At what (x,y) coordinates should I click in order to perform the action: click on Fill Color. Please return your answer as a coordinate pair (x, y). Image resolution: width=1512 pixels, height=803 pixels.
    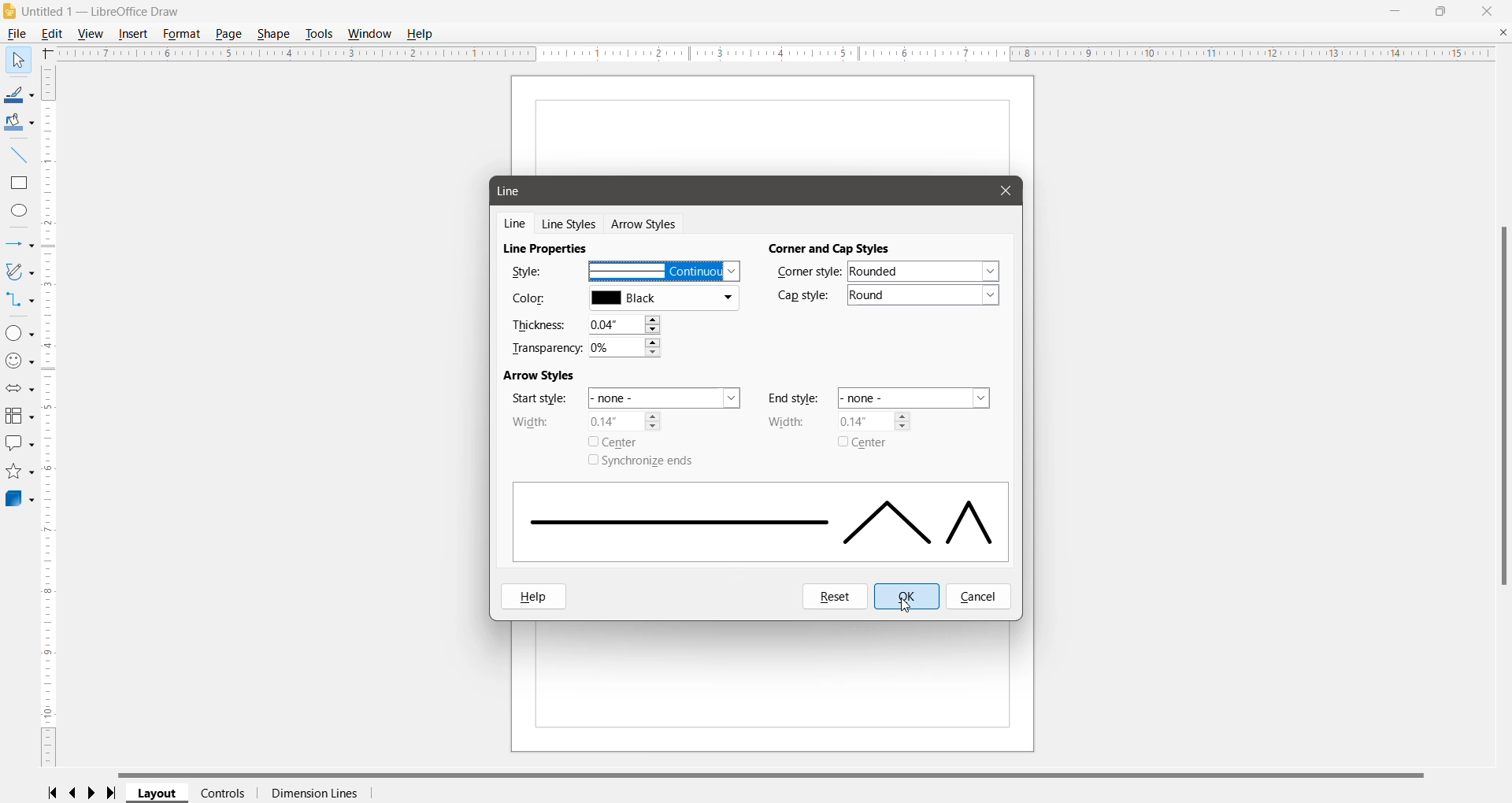
    Looking at the image, I should click on (20, 124).